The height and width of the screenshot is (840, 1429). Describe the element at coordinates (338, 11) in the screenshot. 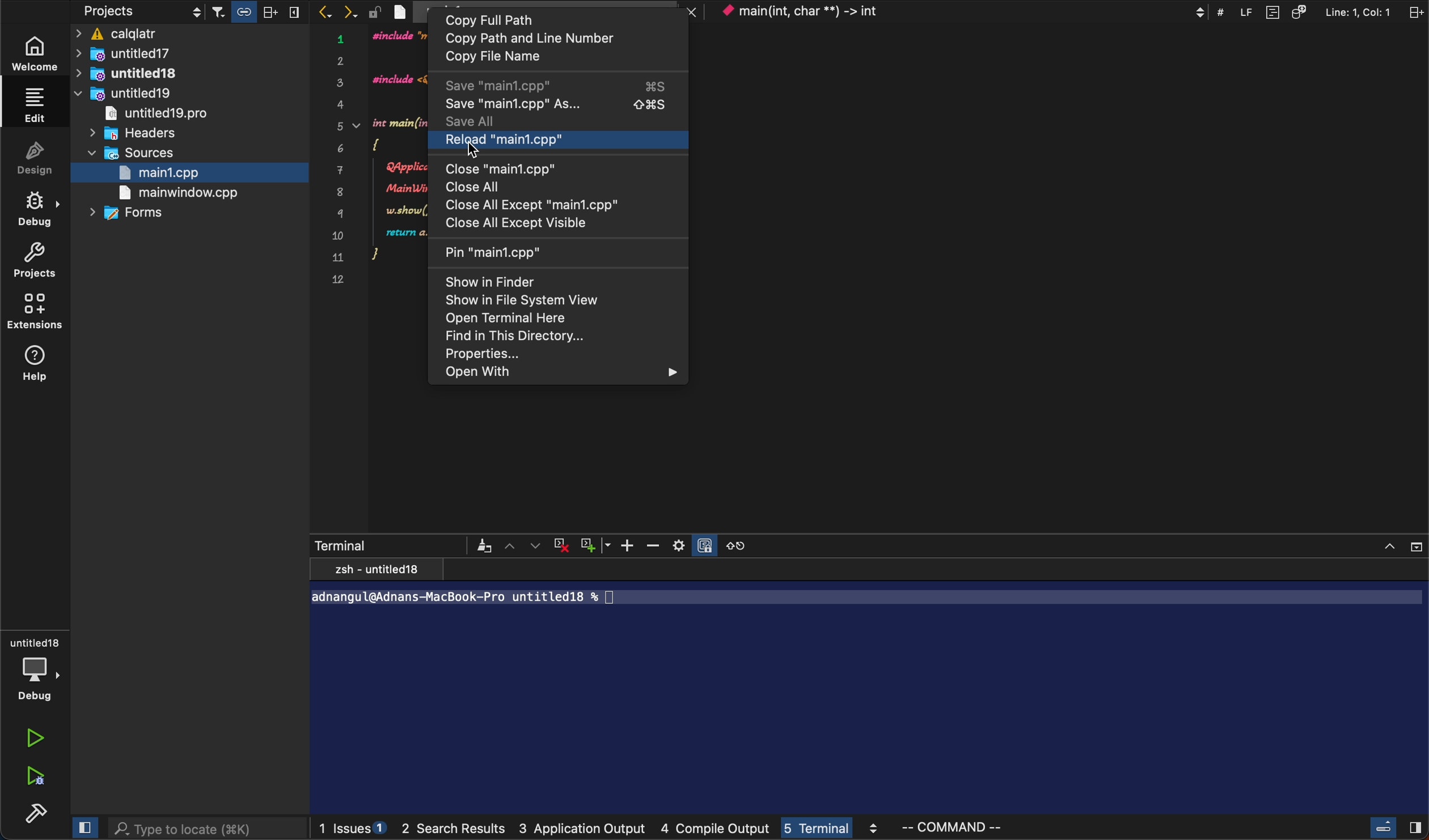

I see `arrows` at that location.